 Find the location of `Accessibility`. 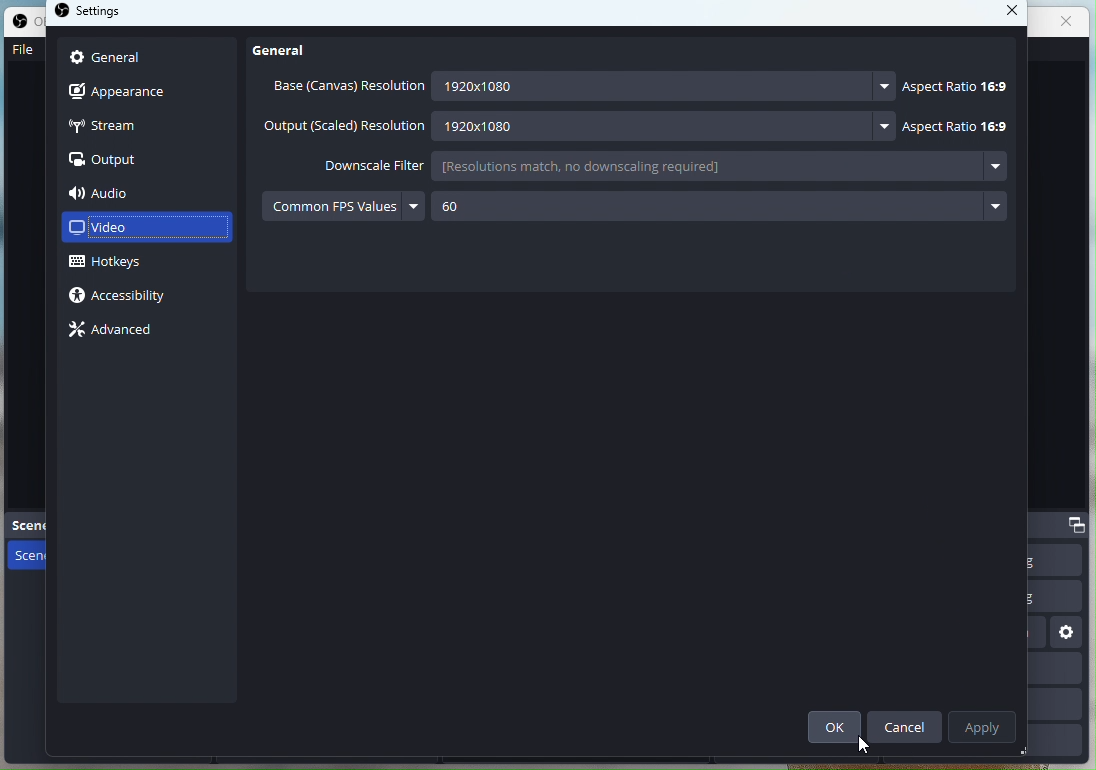

Accessibility is located at coordinates (128, 299).